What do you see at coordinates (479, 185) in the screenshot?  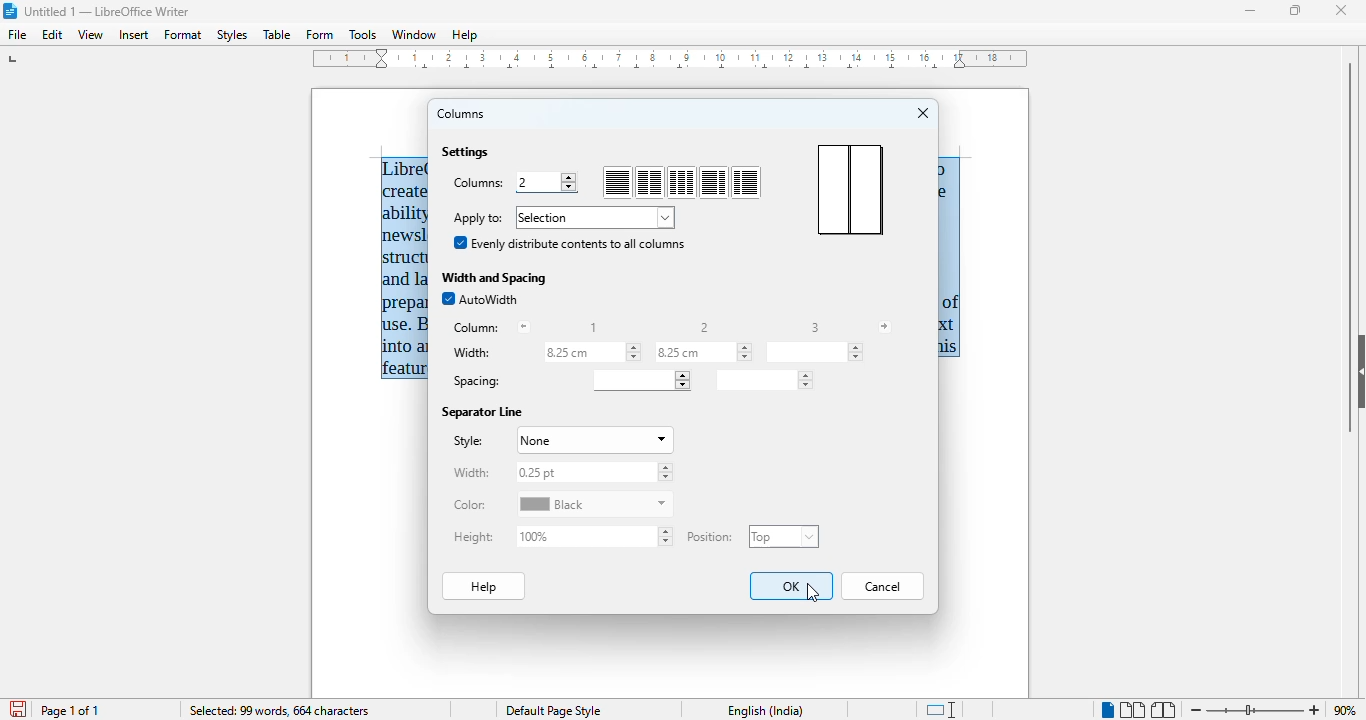 I see `columns: ` at bounding box center [479, 185].